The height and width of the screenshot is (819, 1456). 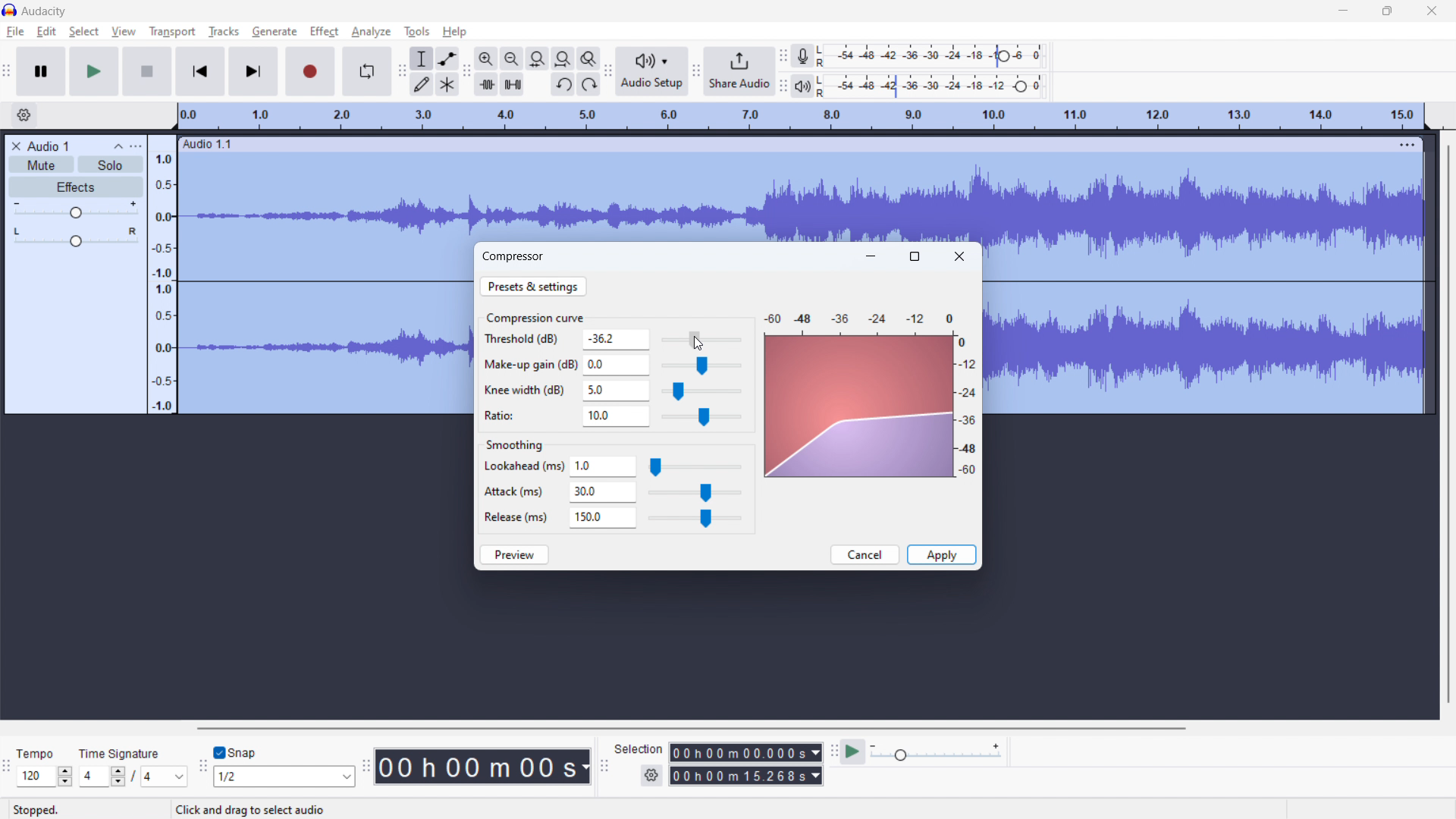 I want to click on 00h00m00.000s (start time), so click(x=745, y=748).